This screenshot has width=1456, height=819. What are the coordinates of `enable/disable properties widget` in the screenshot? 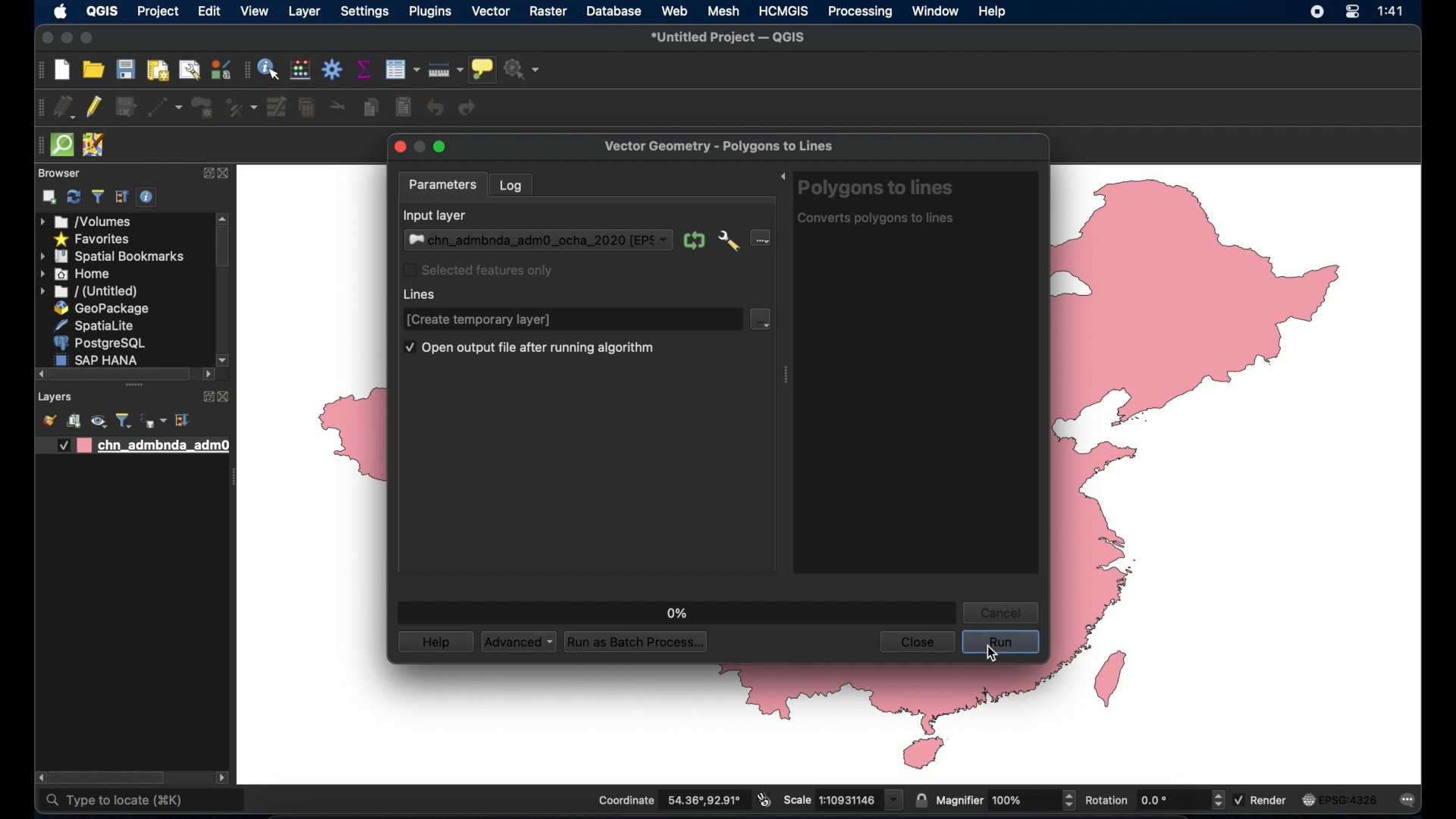 It's located at (148, 197).